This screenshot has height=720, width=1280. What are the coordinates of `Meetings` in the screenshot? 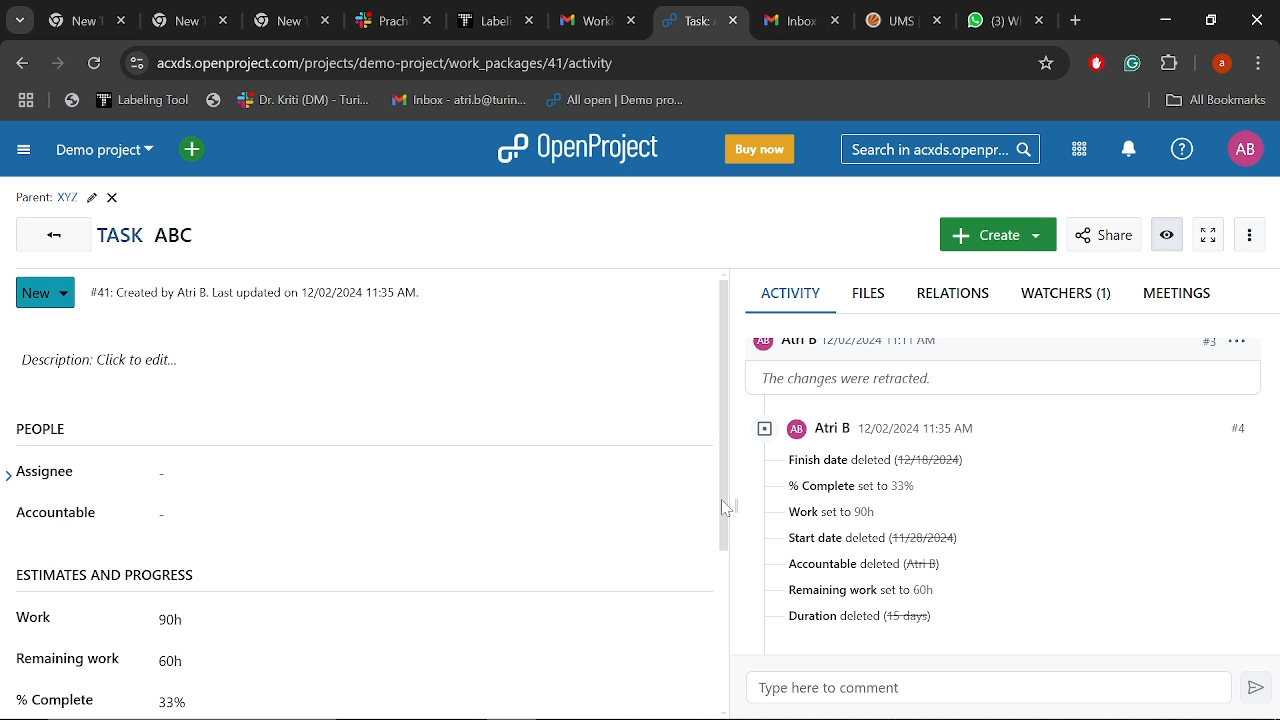 It's located at (1179, 296).